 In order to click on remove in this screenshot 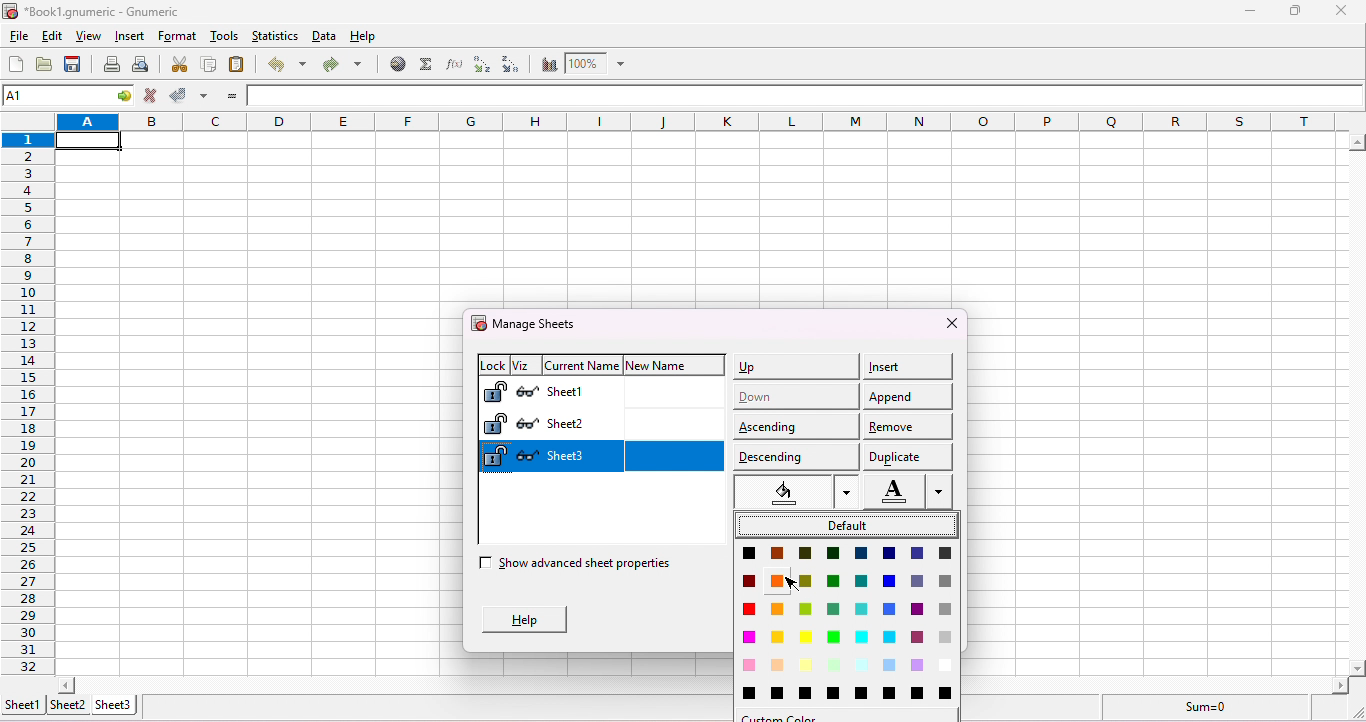, I will do `click(911, 424)`.